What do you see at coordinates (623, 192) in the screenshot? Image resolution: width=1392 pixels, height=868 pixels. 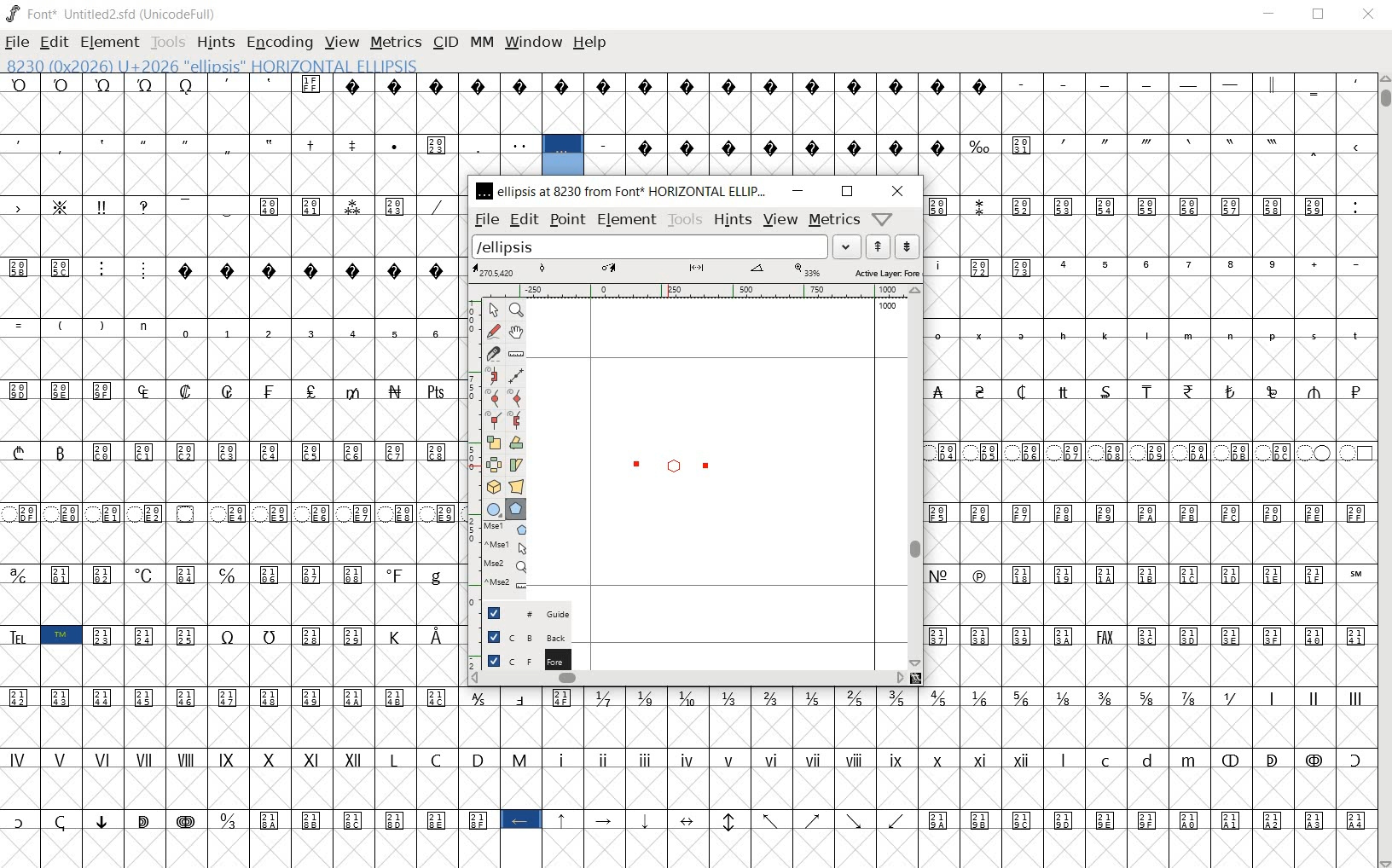 I see `ellipsis at 8230 from FONT HORIZONTAL ELLIPSIS` at bounding box center [623, 192].